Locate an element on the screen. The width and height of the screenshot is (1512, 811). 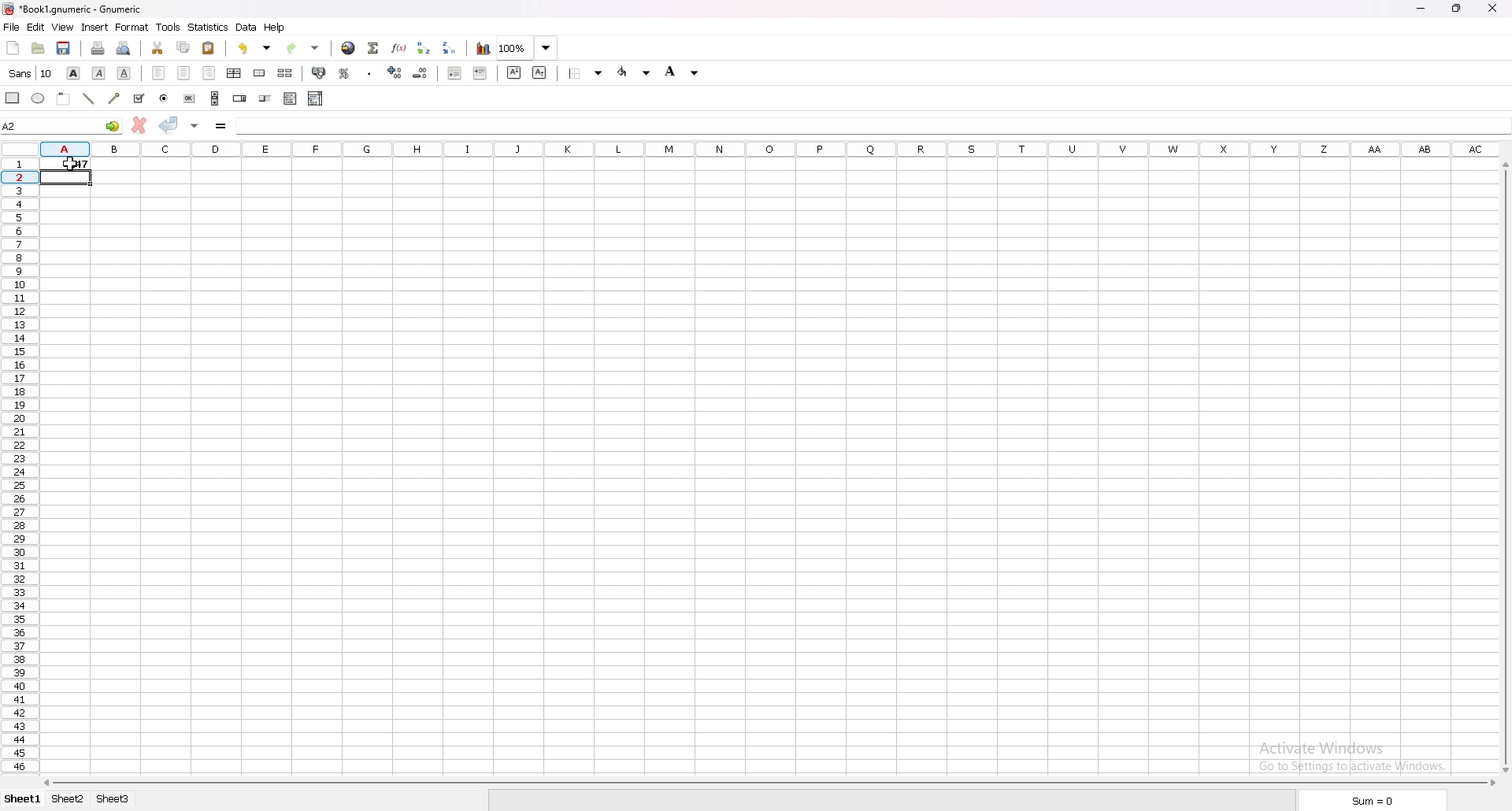
ellipse is located at coordinates (37, 98).